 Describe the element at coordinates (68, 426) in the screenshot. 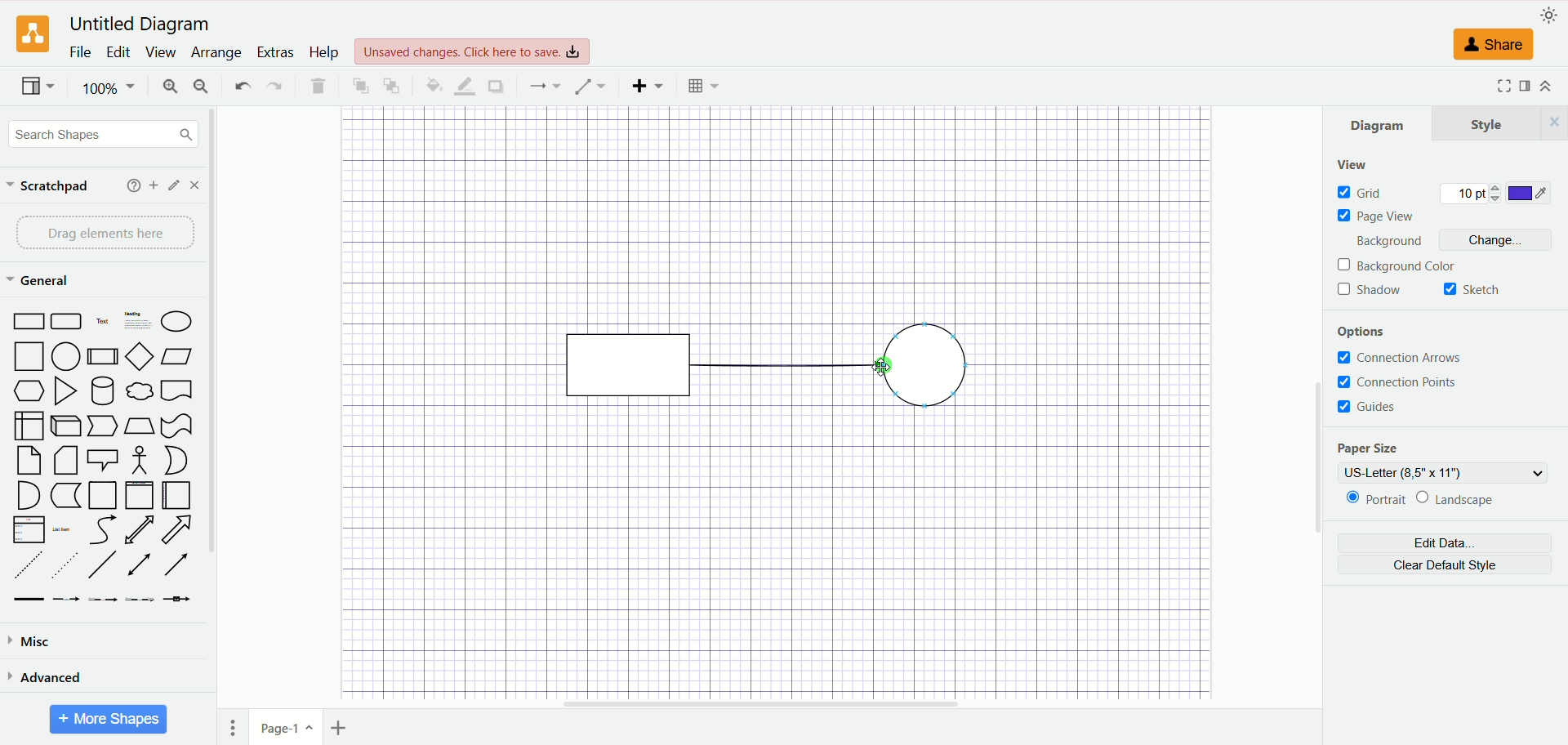

I see `Cuboid` at that location.